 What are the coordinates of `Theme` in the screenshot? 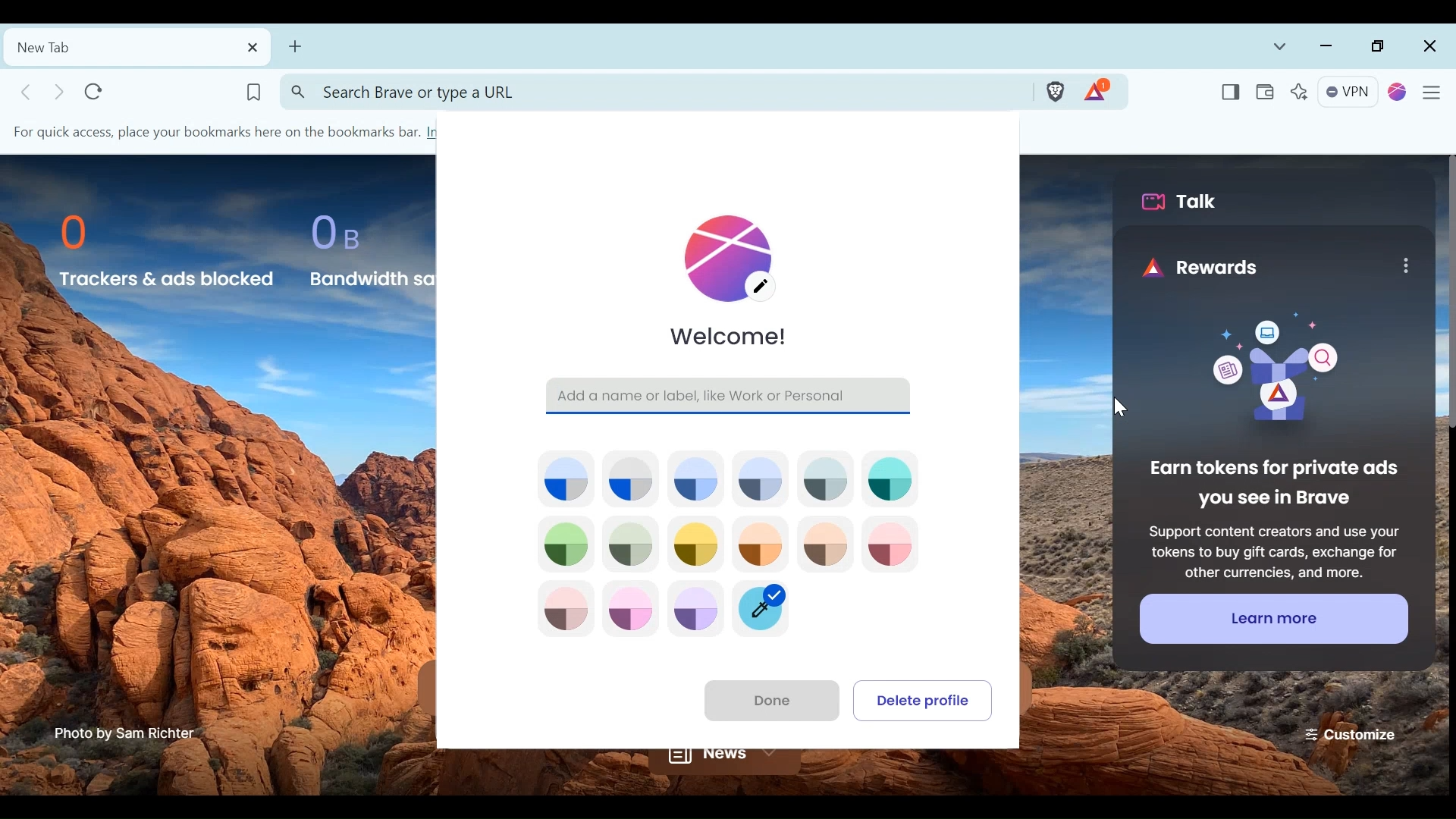 It's located at (698, 544).